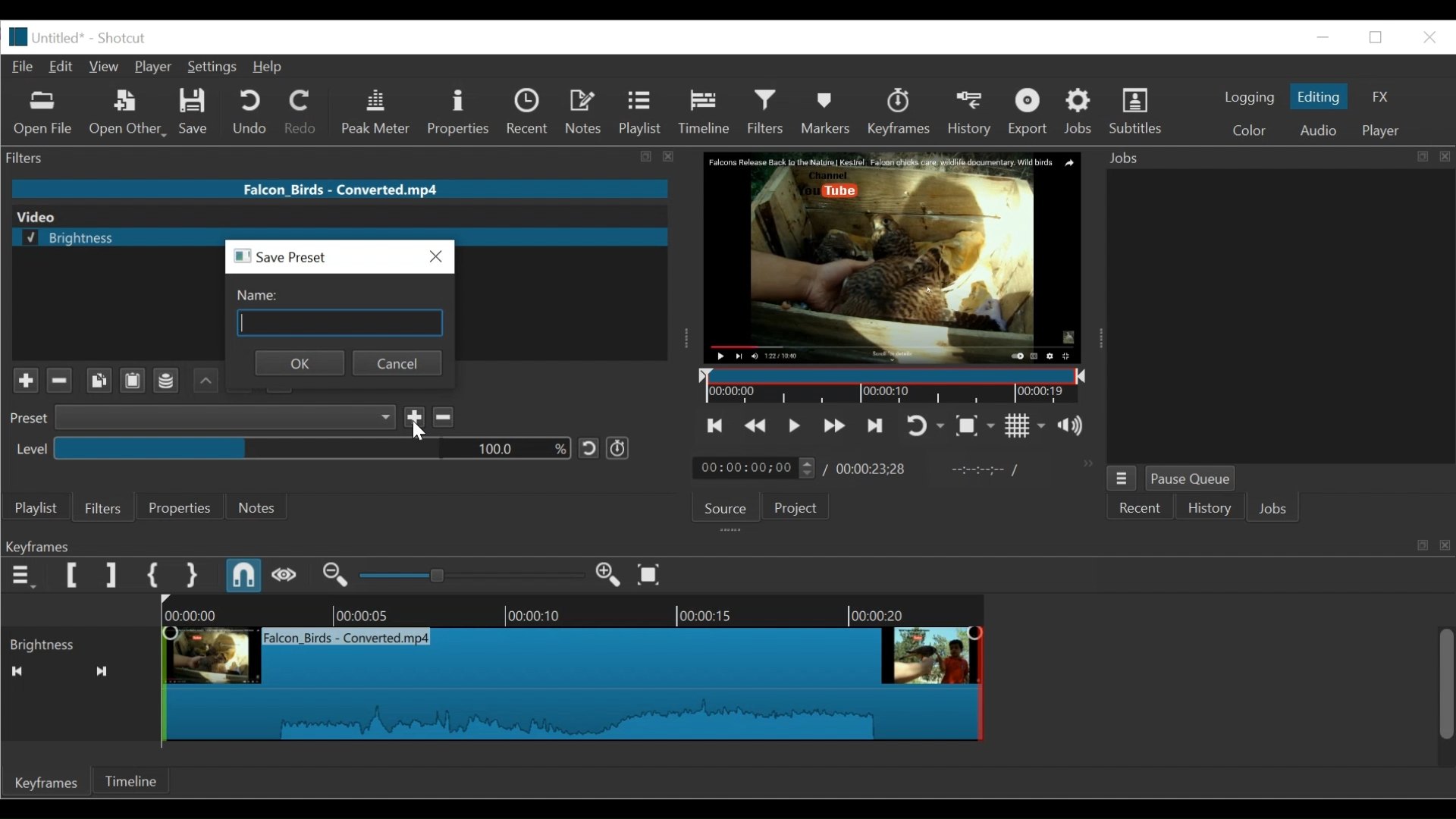 This screenshot has width=1456, height=819. What do you see at coordinates (1136, 111) in the screenshot?
I see `Subtitles` at bounding box center [1136, 111].